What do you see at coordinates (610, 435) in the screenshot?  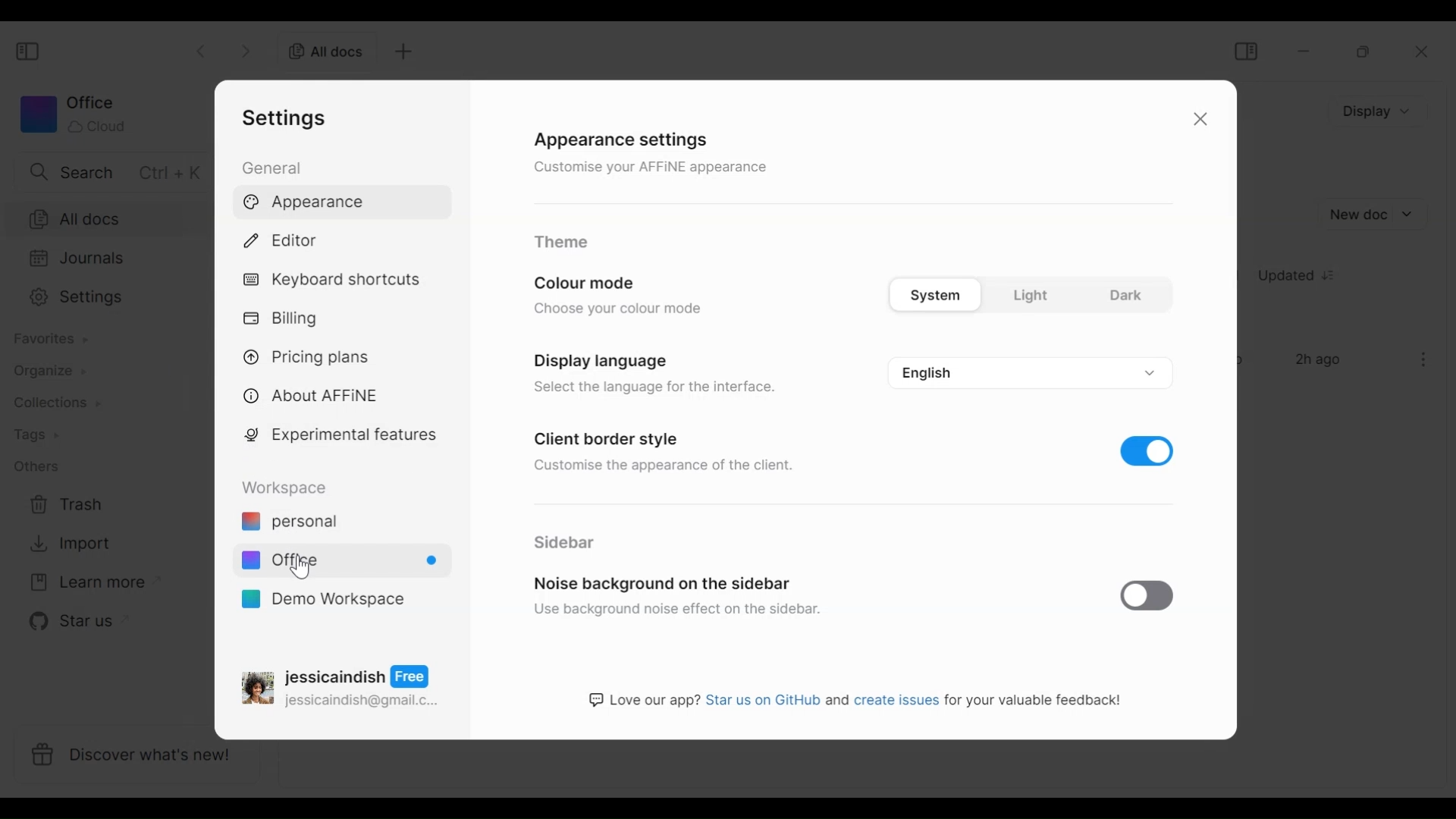 I see `Client border style` at bounding box center [610, 435].